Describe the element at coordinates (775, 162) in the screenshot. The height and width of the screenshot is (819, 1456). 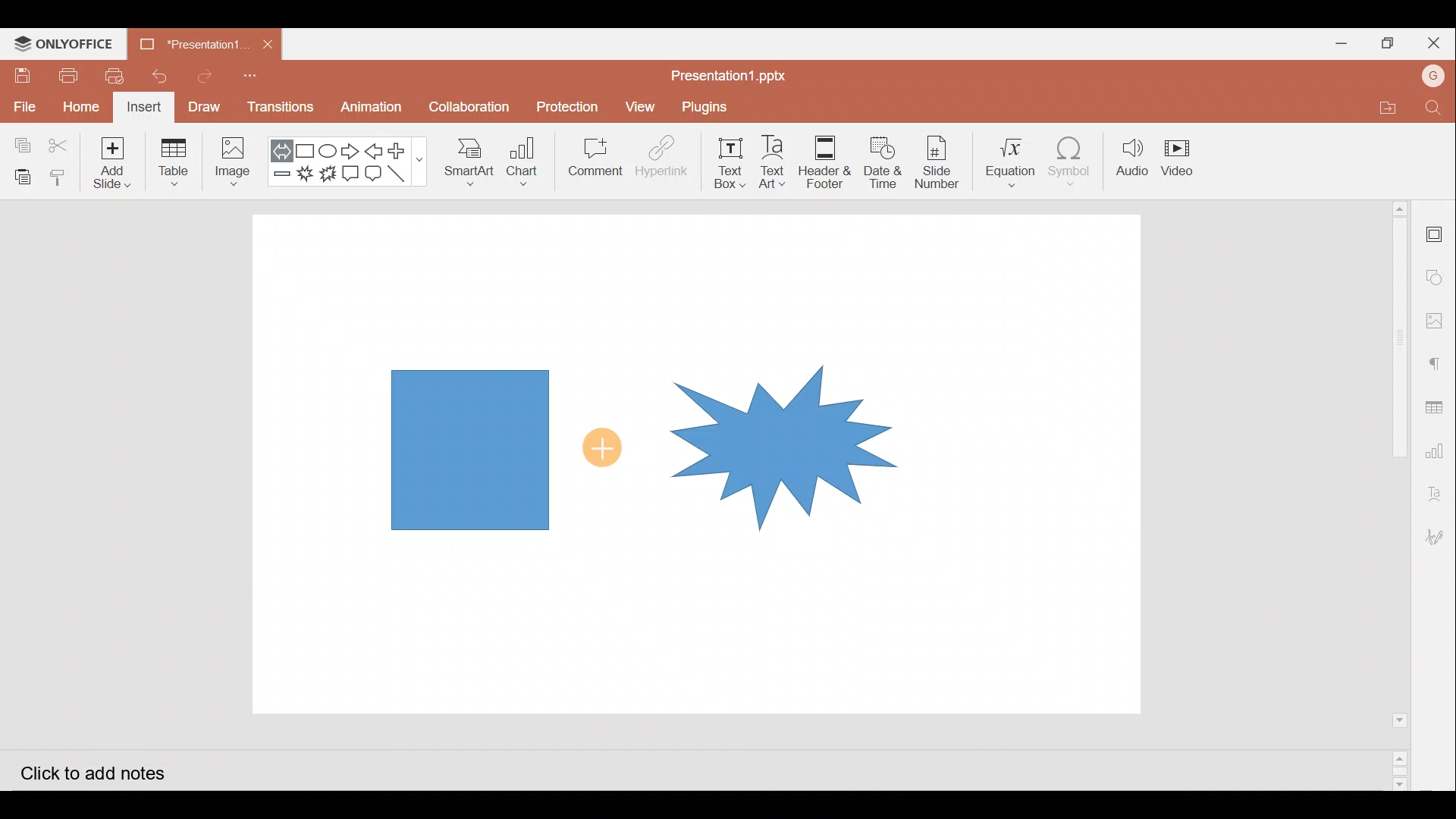
I see `Text Art` at that location.